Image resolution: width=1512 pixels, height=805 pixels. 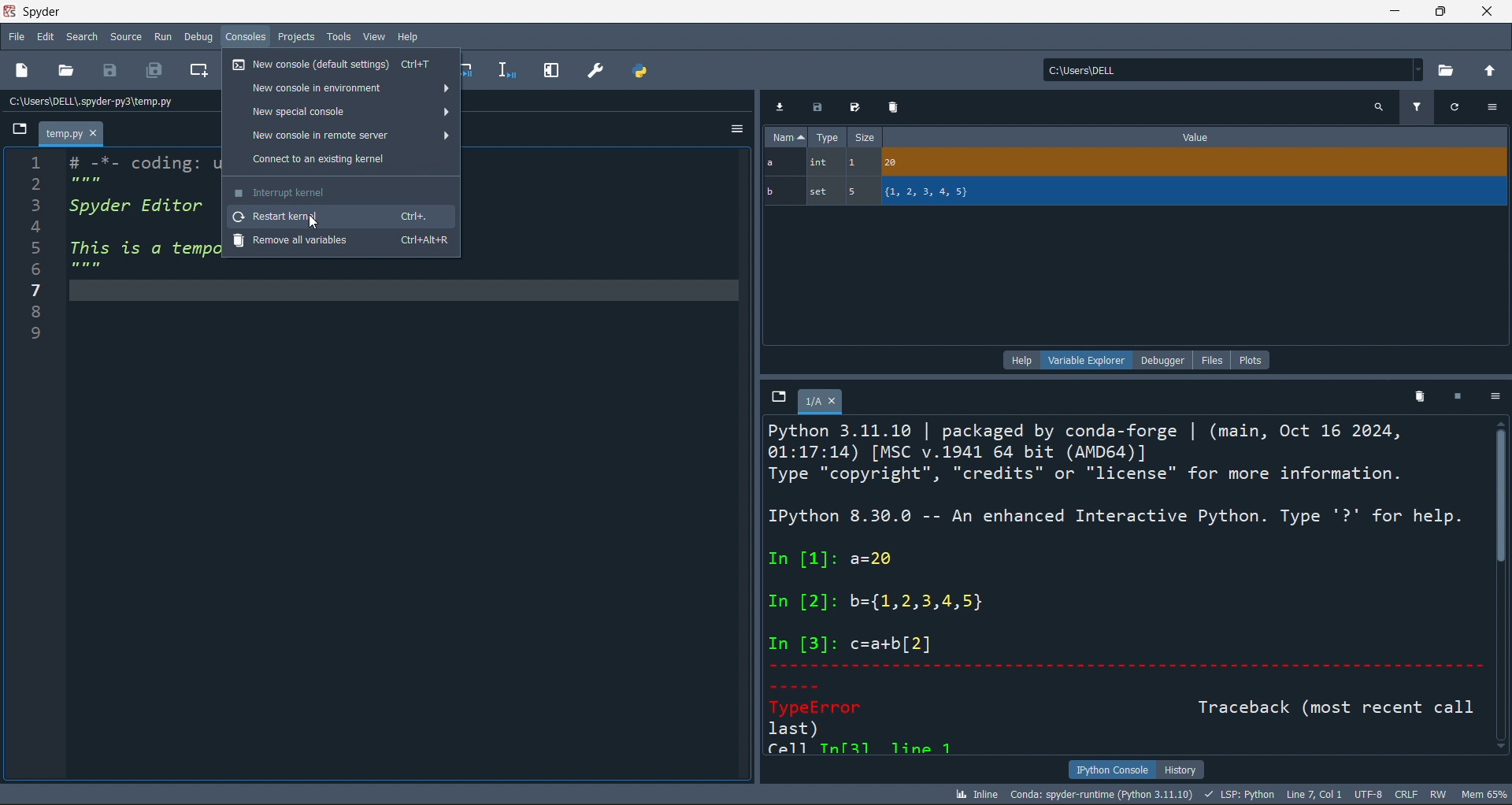 What do you see at coordinates (68, 70) in the screenshot?
I see `open` at bounding box center [68, 70].